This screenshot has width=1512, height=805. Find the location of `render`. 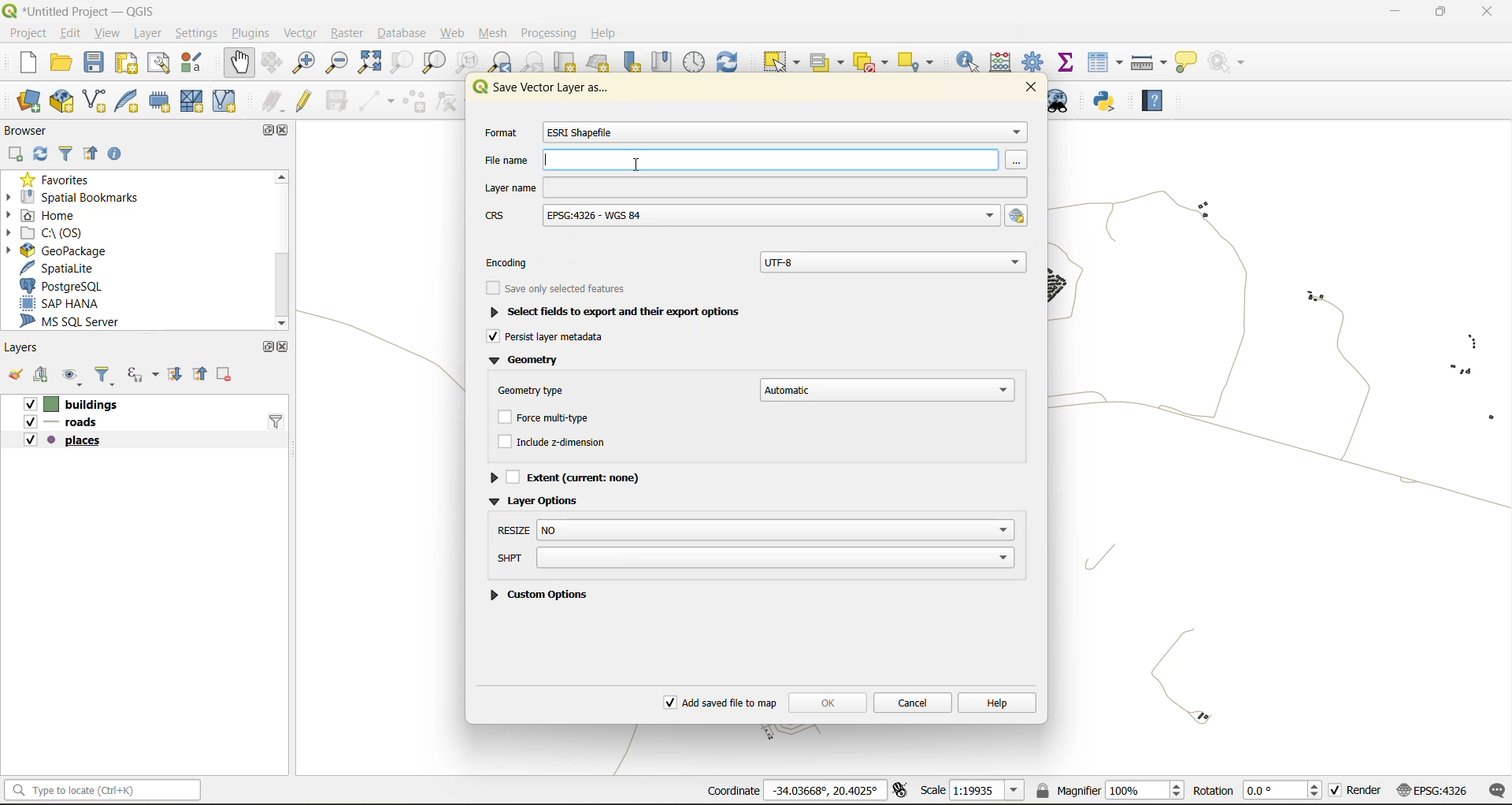

render is located at coordinates (1357, 790).